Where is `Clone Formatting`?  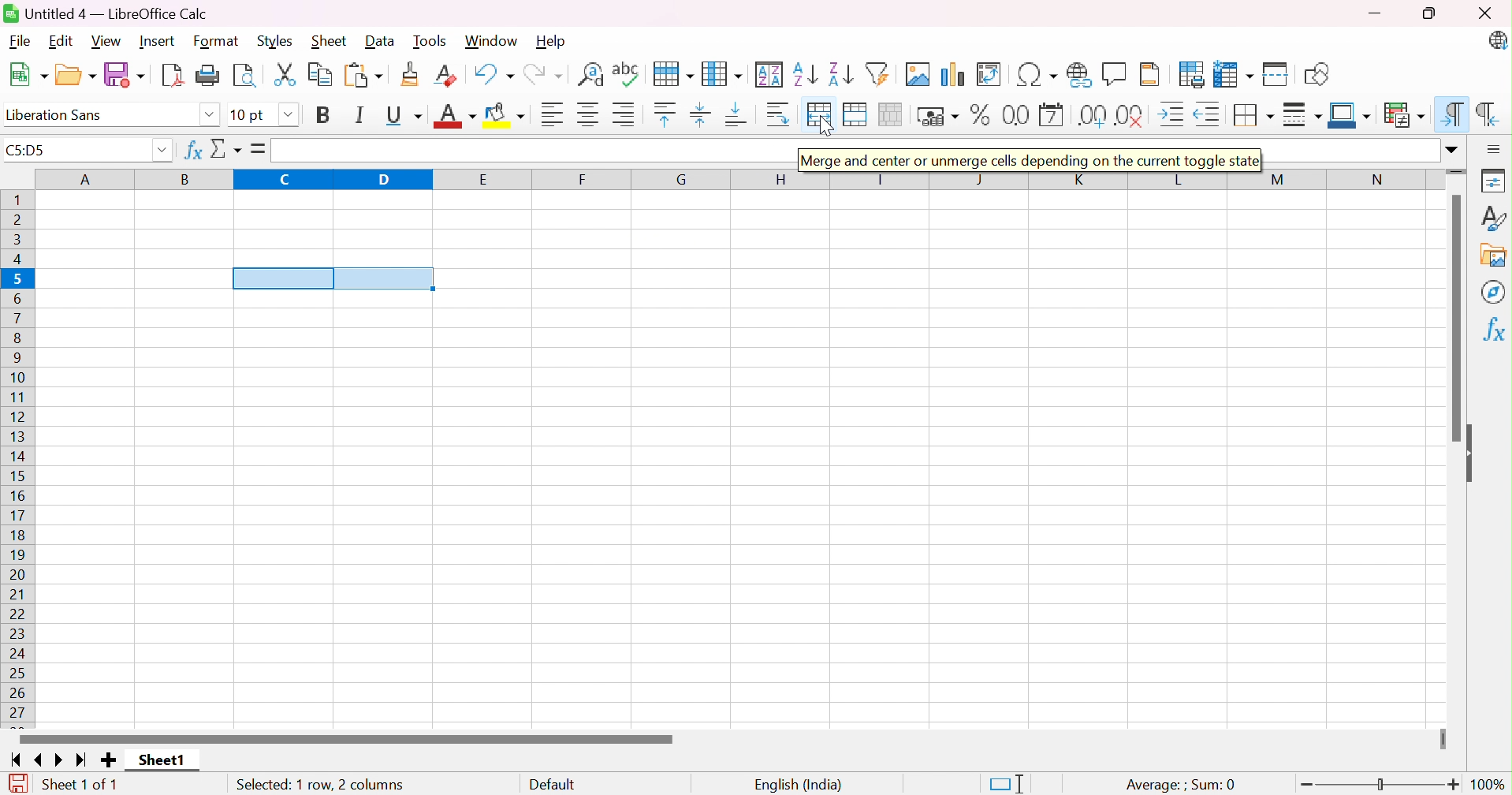
Clone Formatting is located at coordinates (412, 74).